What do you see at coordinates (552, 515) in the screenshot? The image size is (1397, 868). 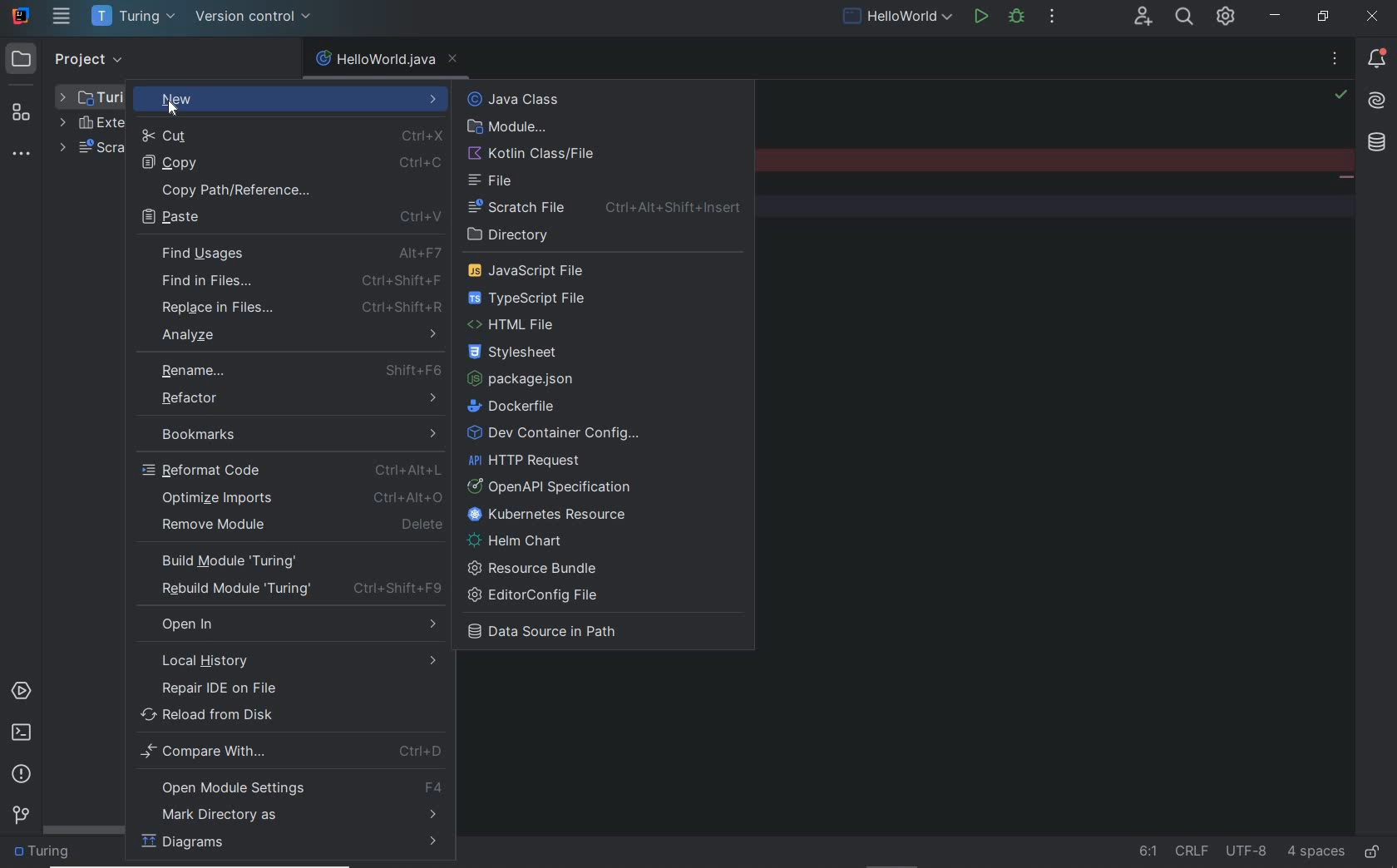 I see `Kubernotes Resource` at bounding box center [552, 515].